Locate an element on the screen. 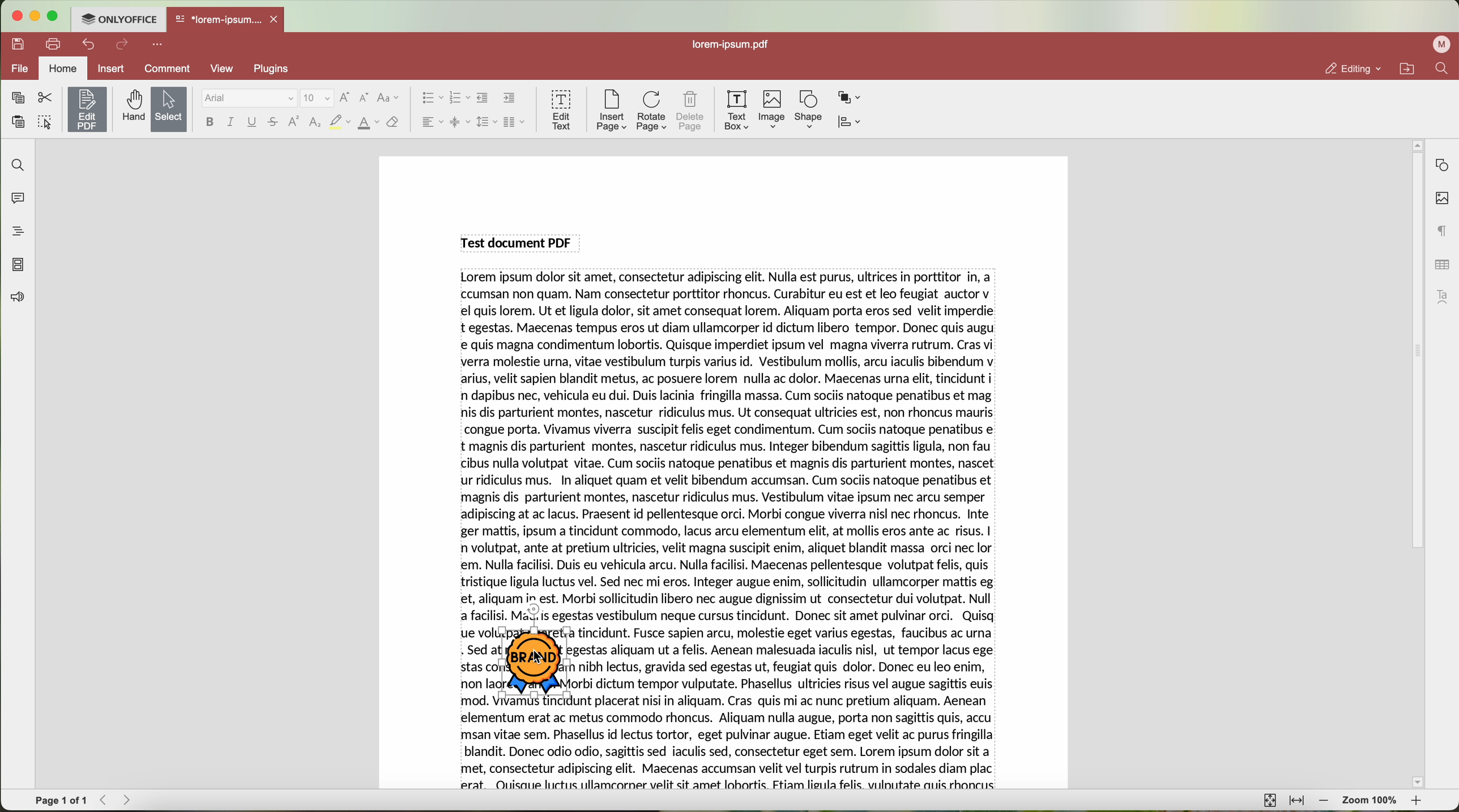 The image size is (1459, 812). subscript is located at coordinates (316, 123).